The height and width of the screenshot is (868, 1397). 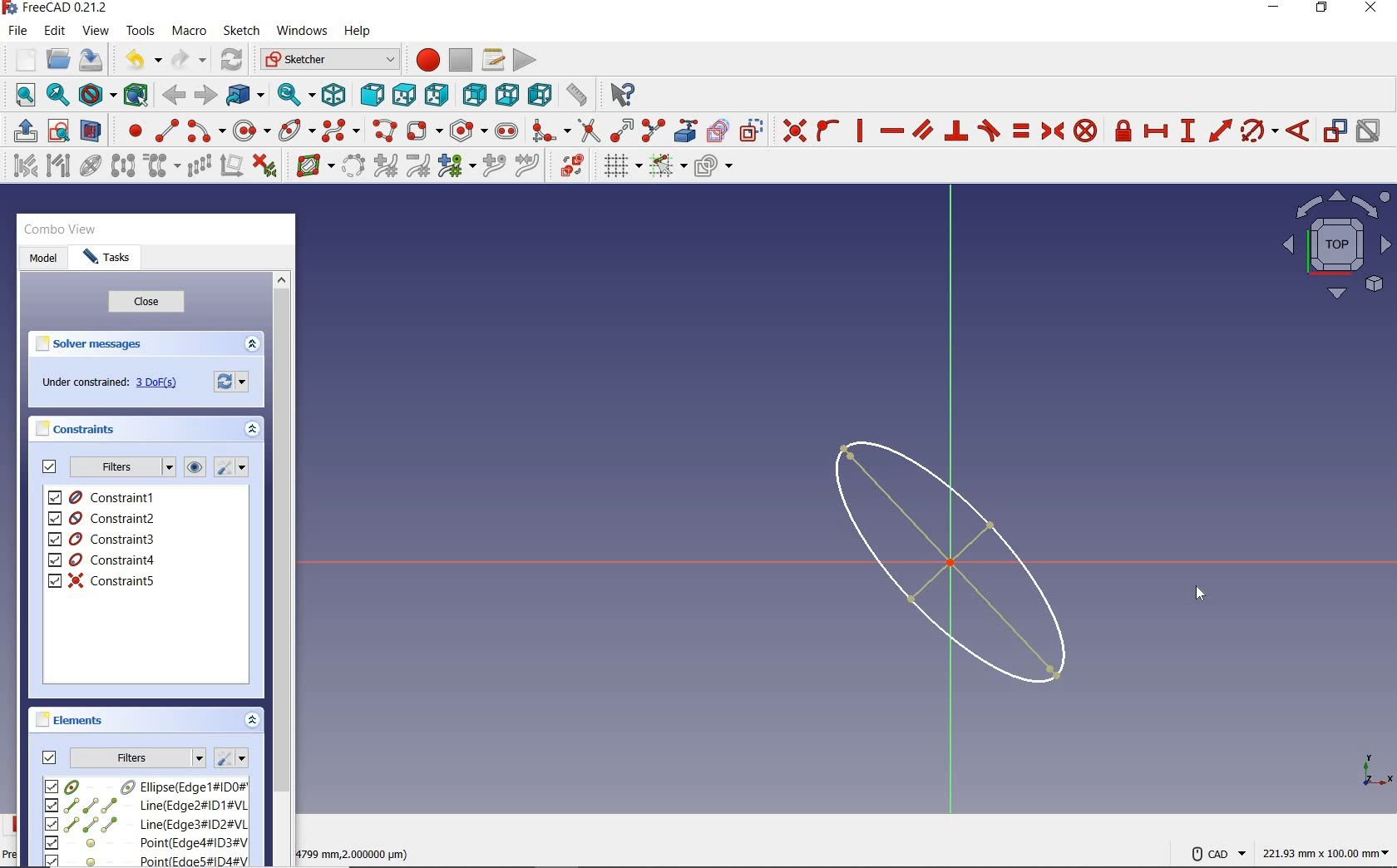 What do you see at coordinates (357, 851) in the screenshot?
I see `cursor coordinates` at bounding box center [357, 851].